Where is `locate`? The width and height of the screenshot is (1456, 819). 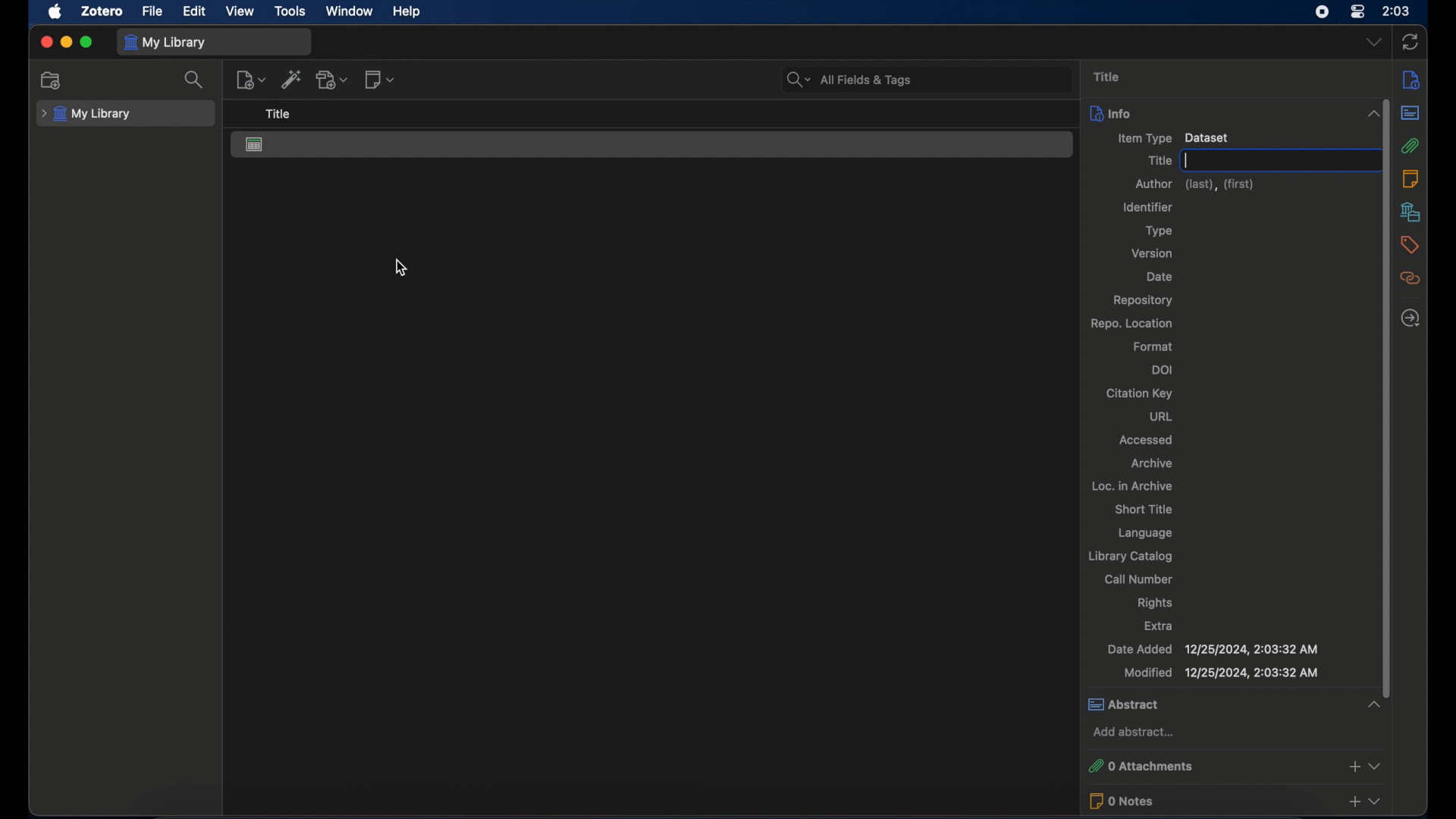
locate is located at coordinates (1410, 318).